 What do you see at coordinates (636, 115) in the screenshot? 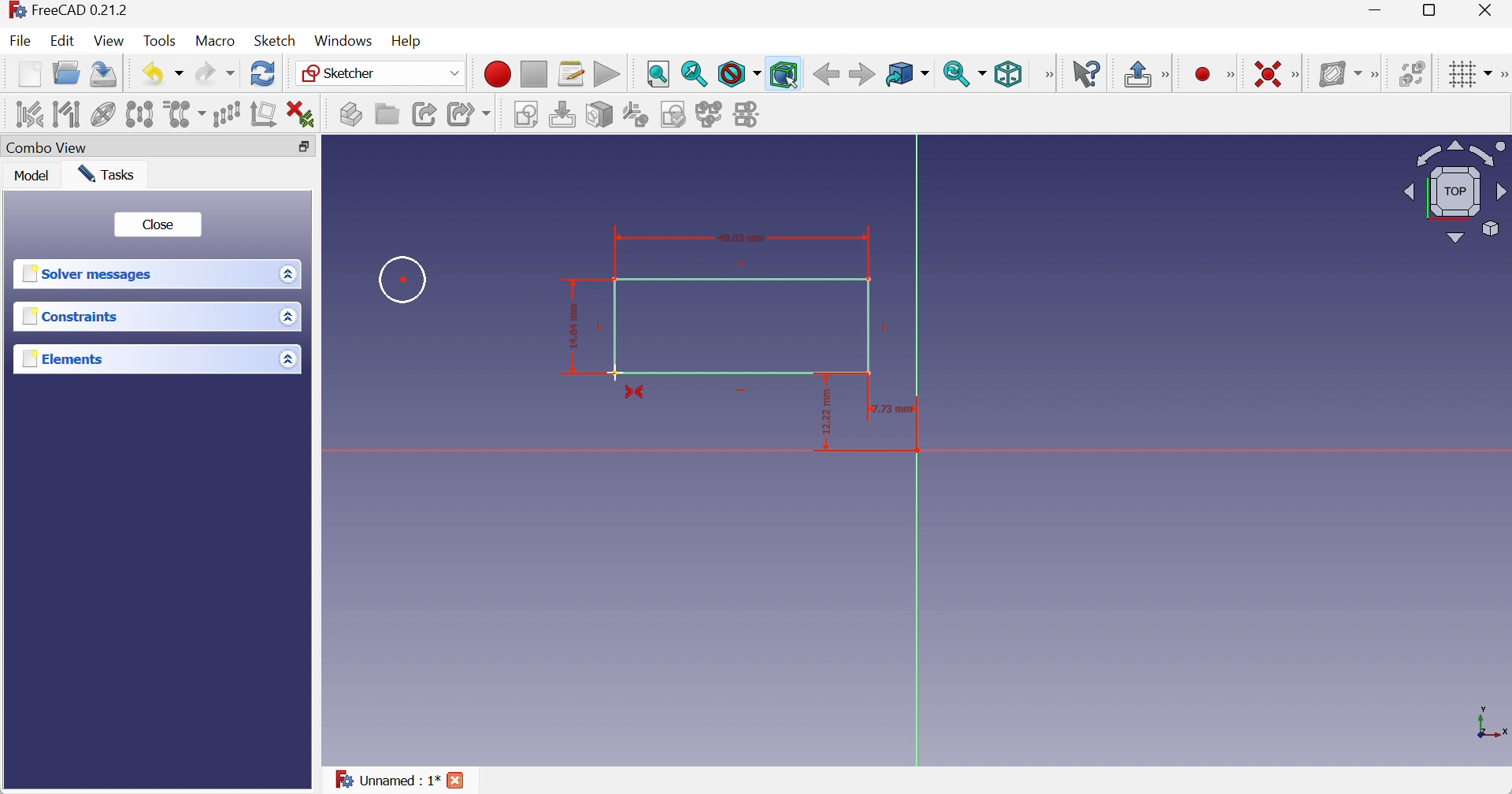
I see `Reorient sketch...` at bounding box center [636, 115].